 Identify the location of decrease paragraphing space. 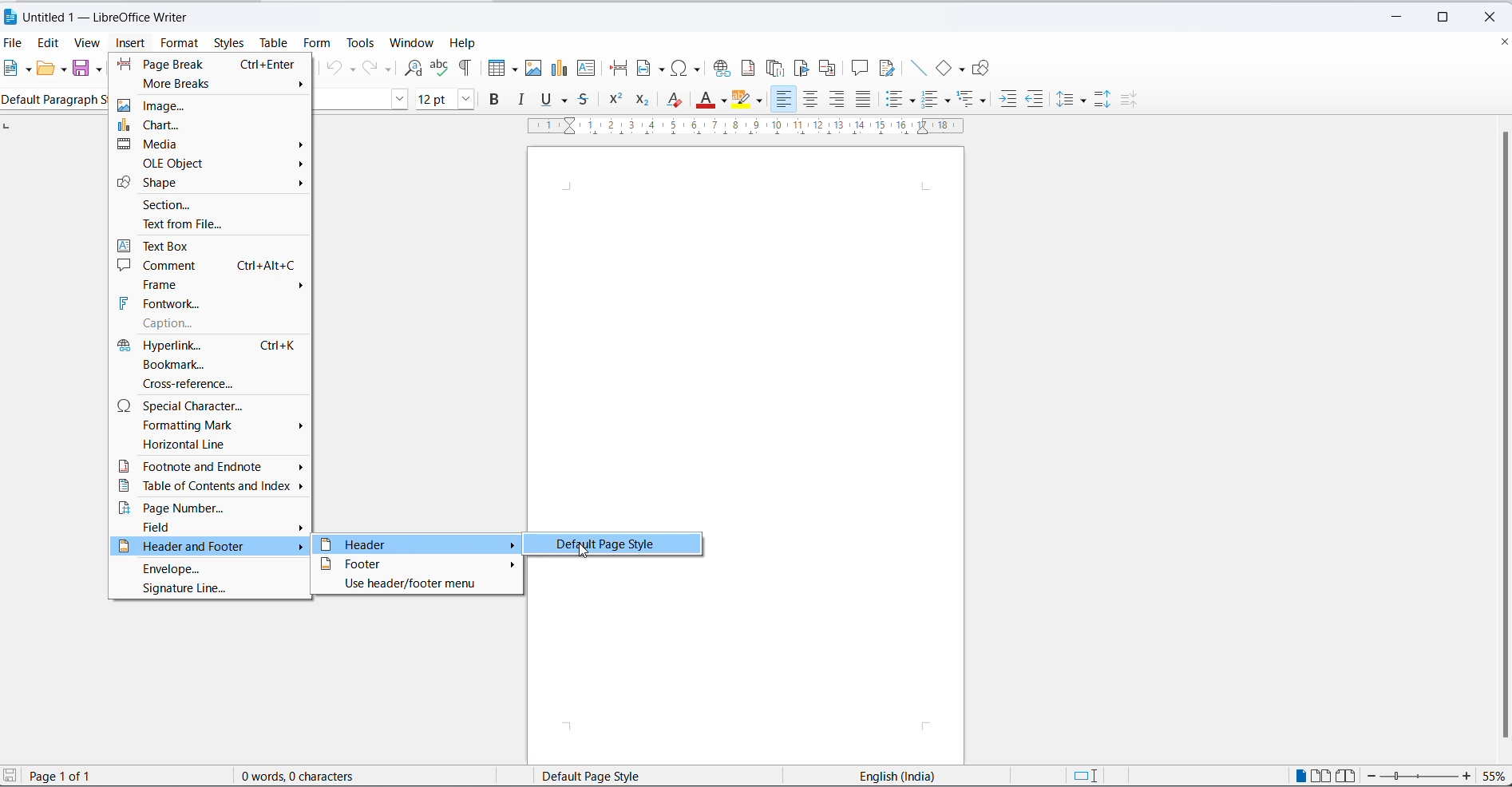
(1134, 102).